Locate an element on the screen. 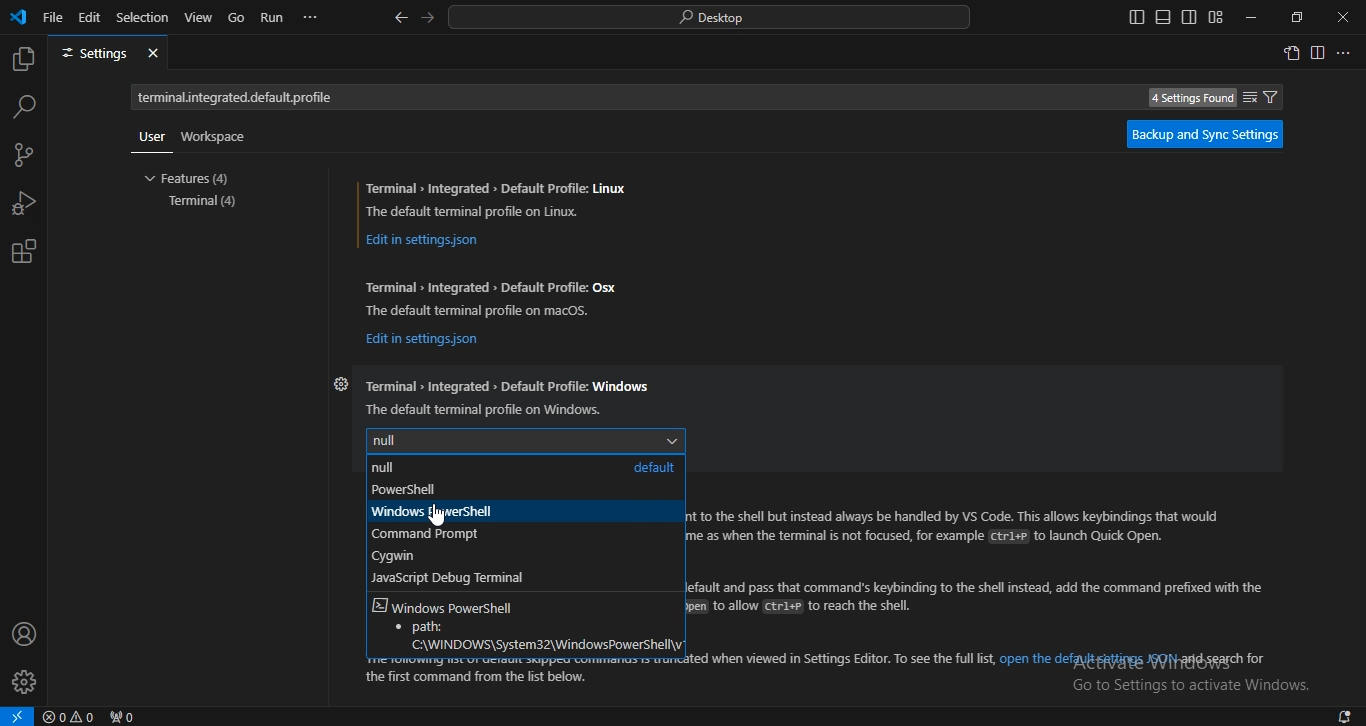 Image resolution: width=1366 pixels, height=726 pixels. Terminal » Integrated > Default Profile: Osx
The default terminal profile on macos. is located at coordinates (496, 294).